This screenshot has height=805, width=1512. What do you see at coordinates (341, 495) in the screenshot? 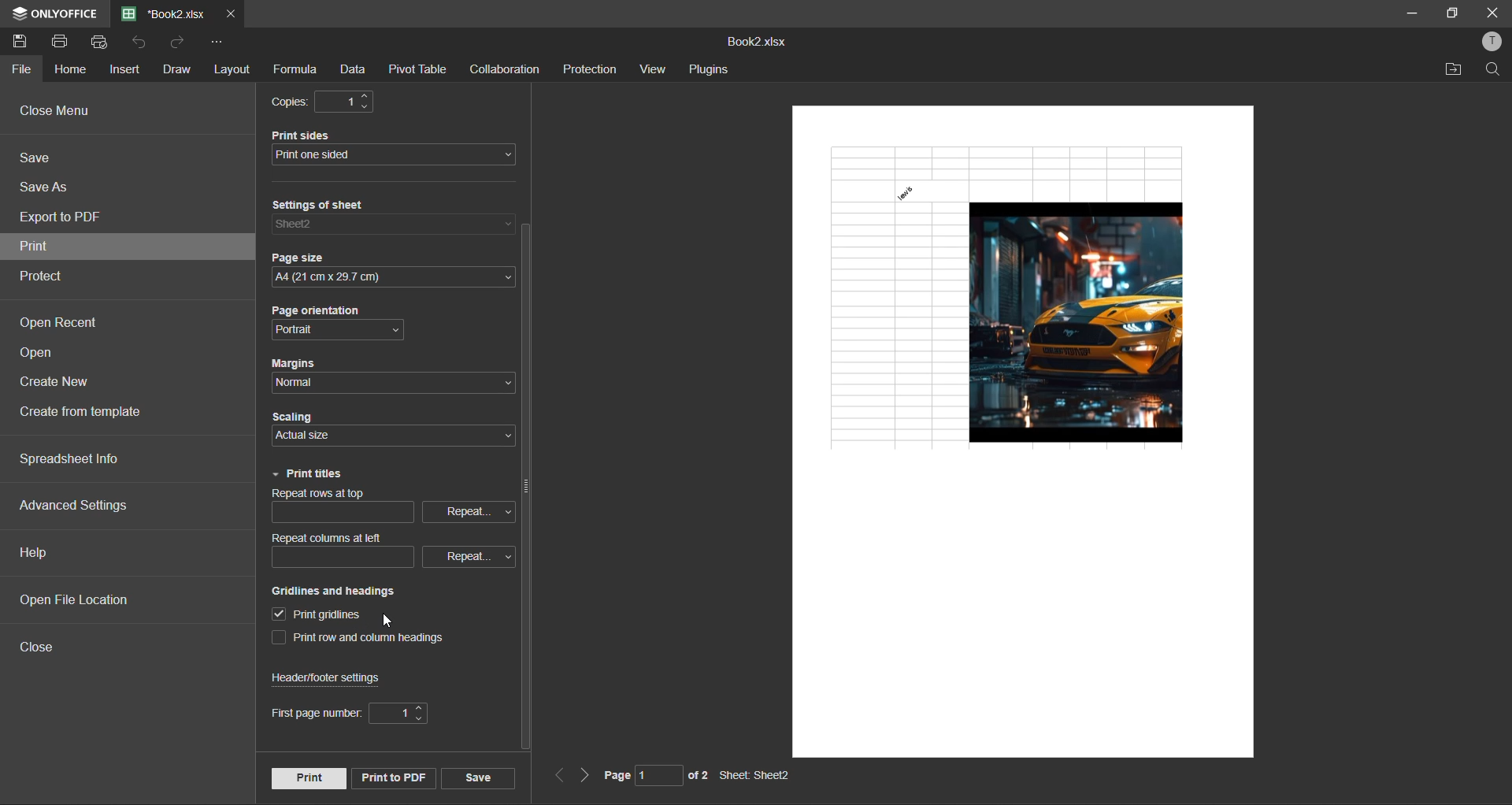
I see `repeat rows on top ` at bounding box center [341, 495].